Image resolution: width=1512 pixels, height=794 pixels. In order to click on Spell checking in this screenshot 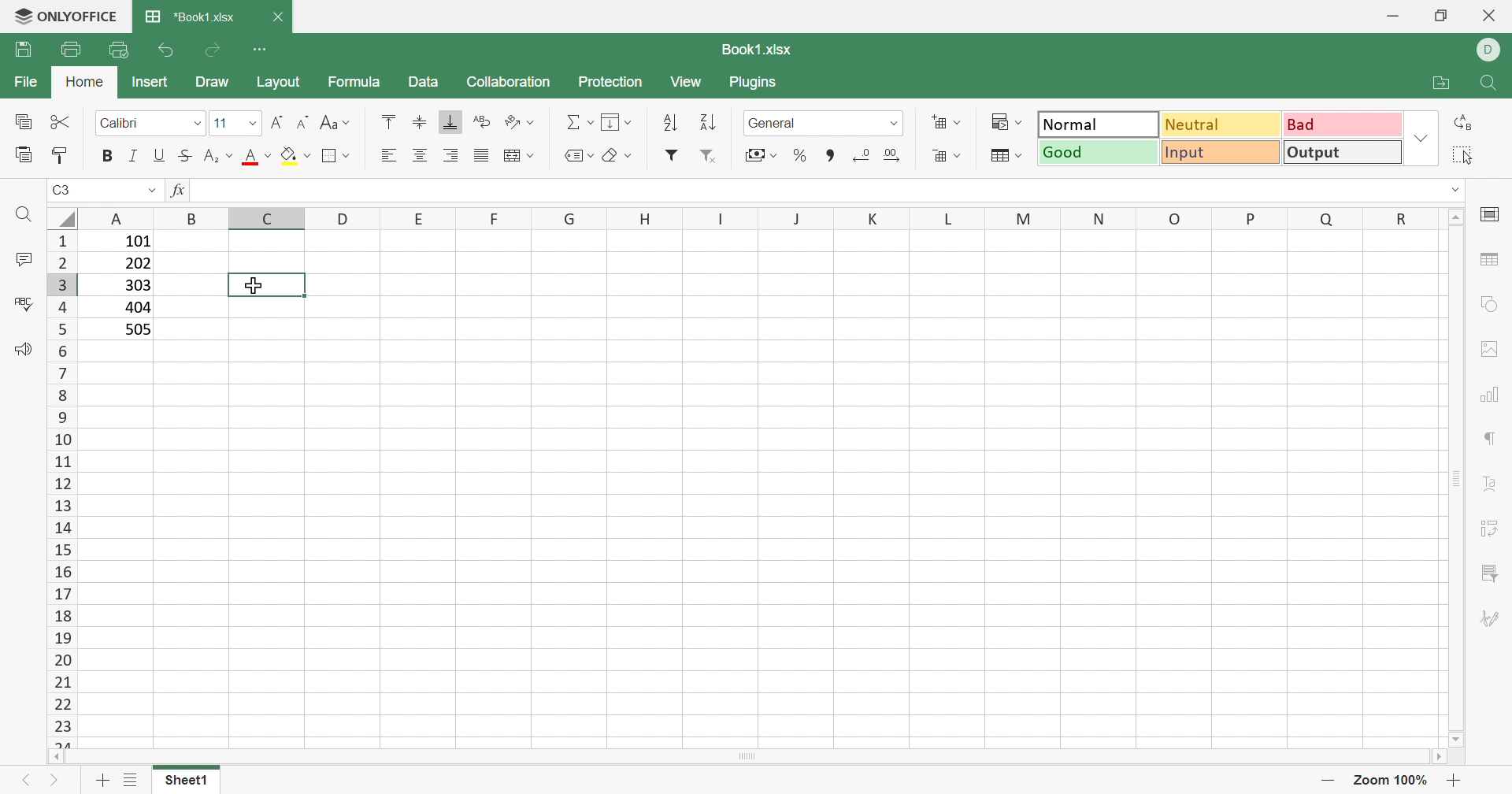, I will do `click(22, 302)`.